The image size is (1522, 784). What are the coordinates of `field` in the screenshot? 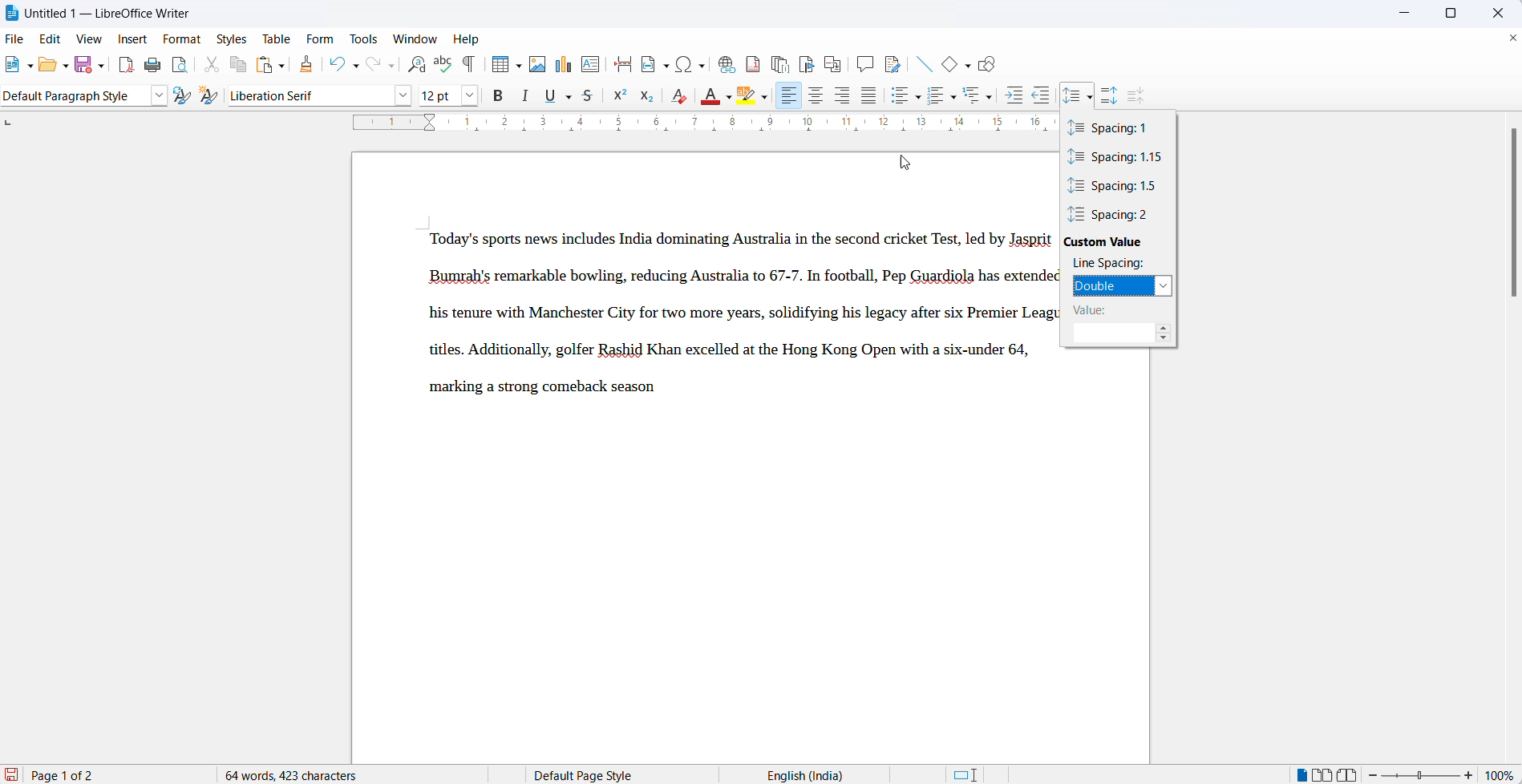 It's located at (654, 65).